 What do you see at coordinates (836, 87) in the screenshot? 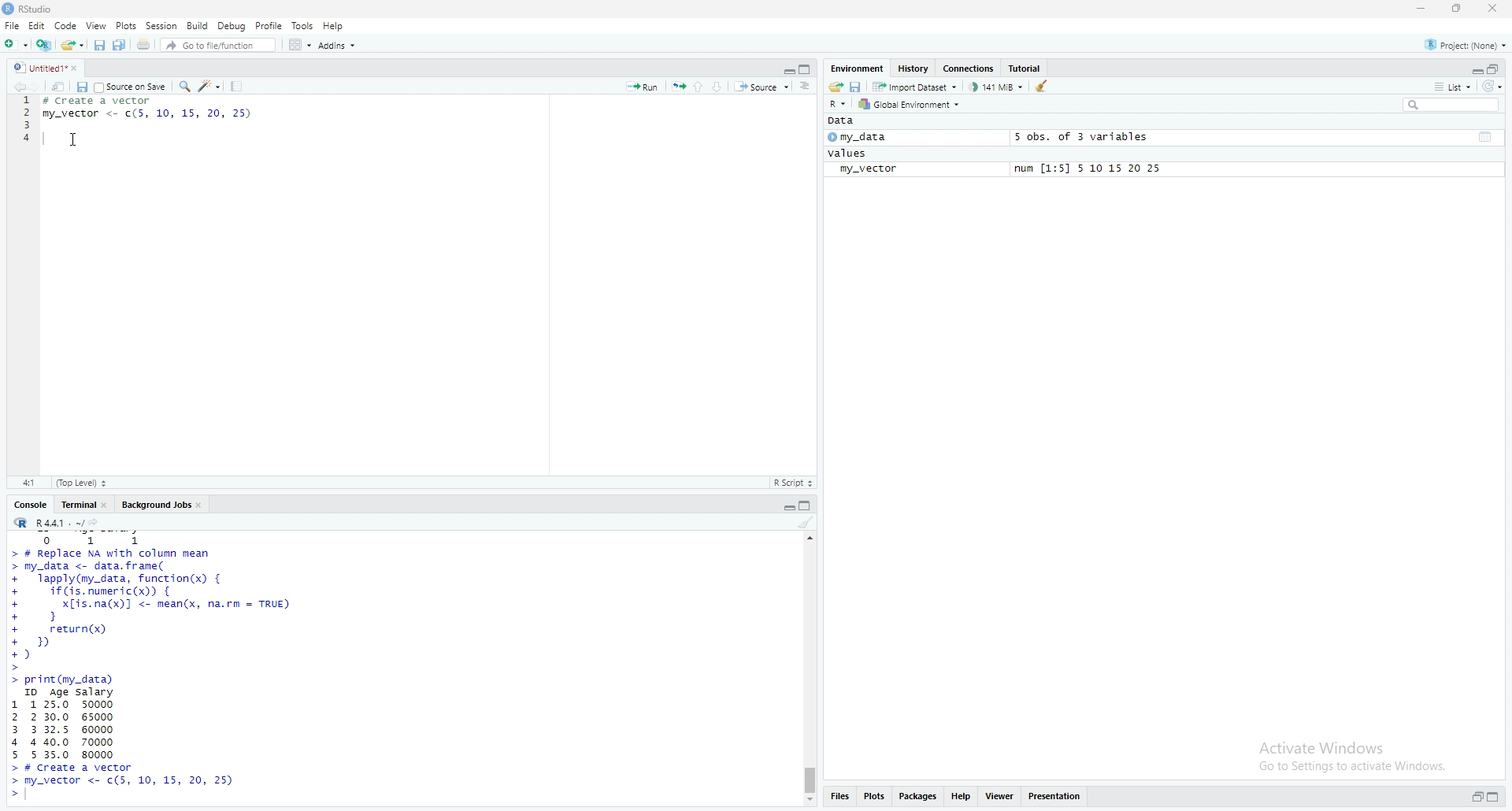
I see `load workspace` at bounding box center [836, 87].